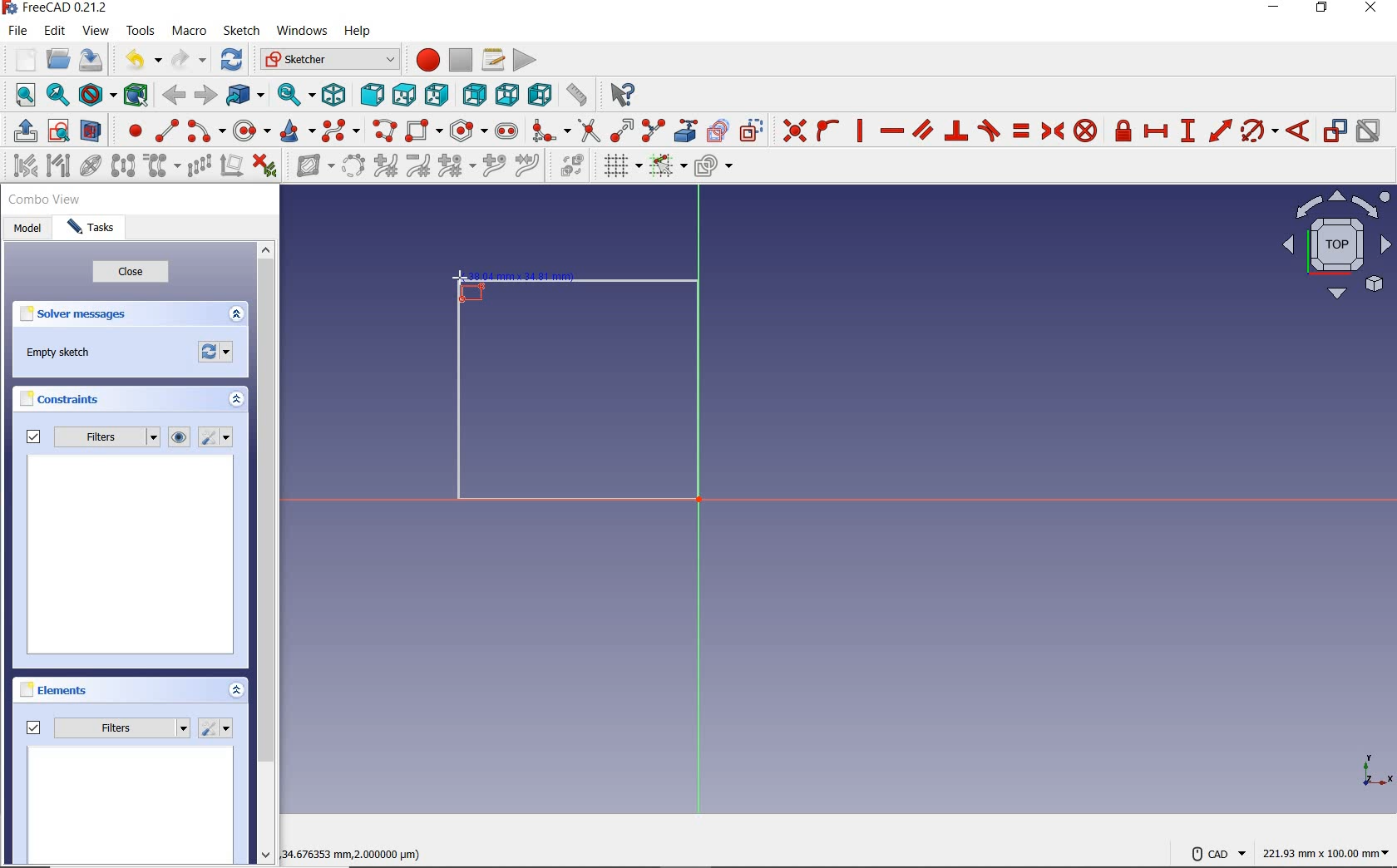 The image size is (1397, 868). I want to click on show/hide internal geometry, so click(91, 168).